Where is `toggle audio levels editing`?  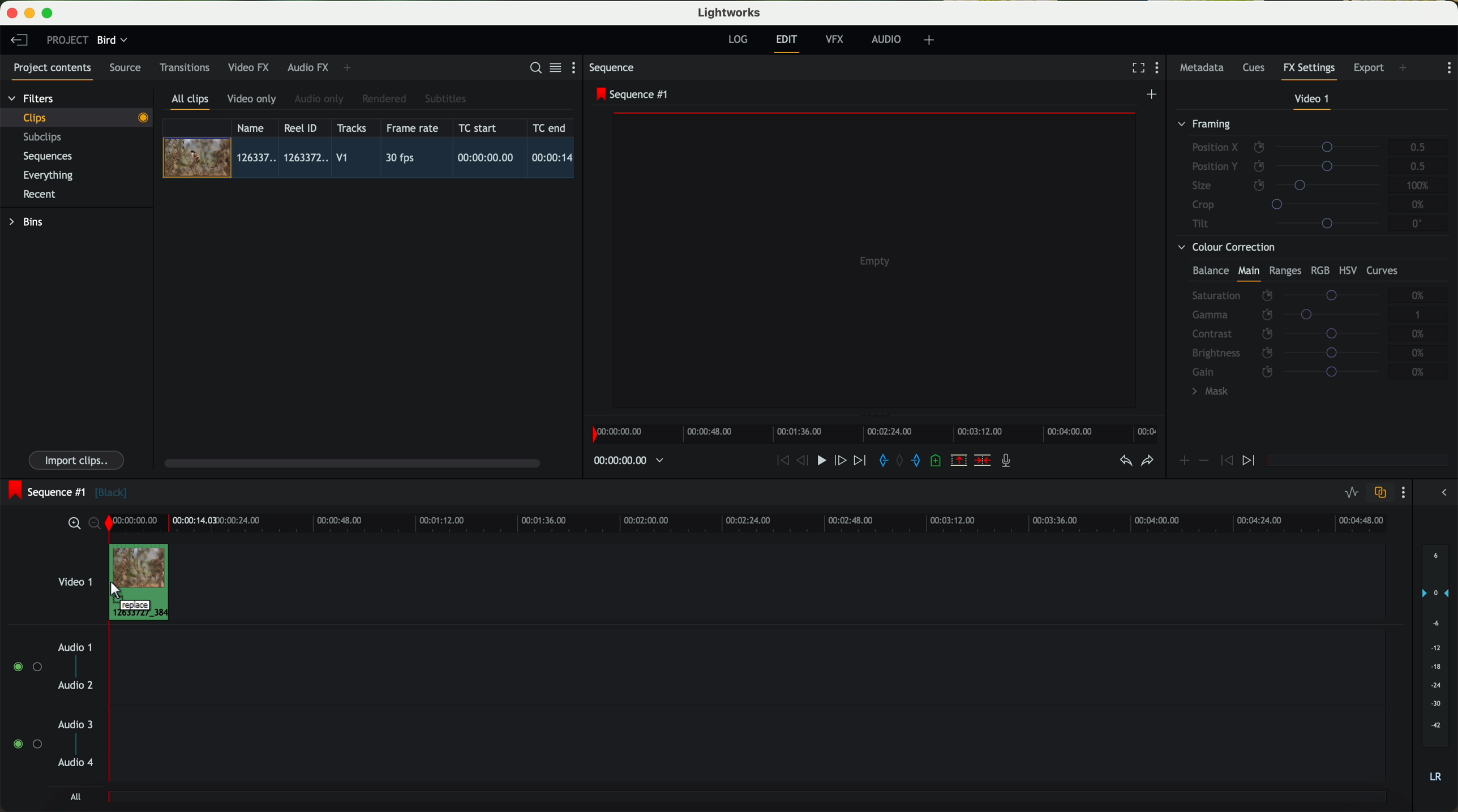
toggle audio levels editing is located at coordinates (1351, 494).